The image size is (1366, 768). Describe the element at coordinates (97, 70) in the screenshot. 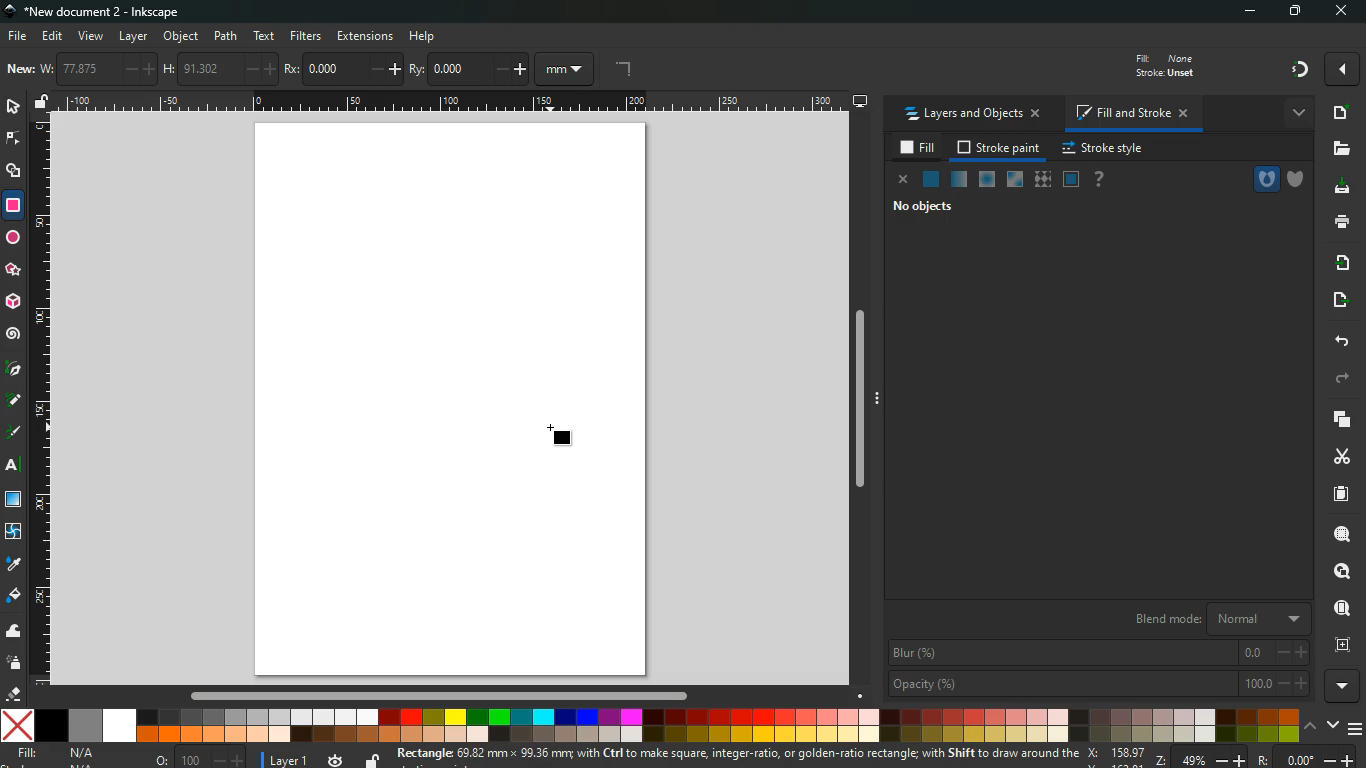

I see `w` at that location.